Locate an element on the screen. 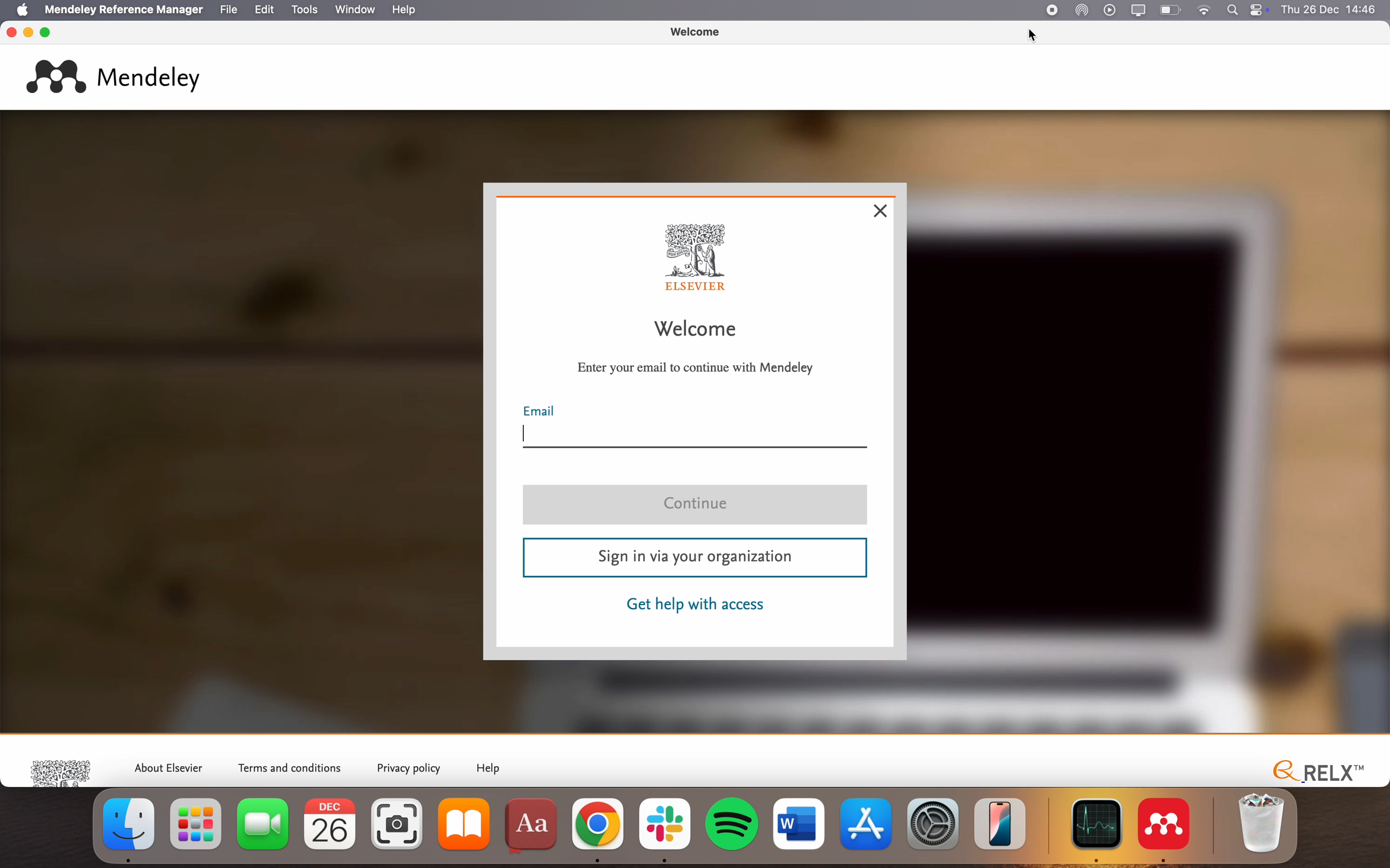 The width and height of the screenshot is (1390, 868). Apple icon is located at coordinates (17, 10).